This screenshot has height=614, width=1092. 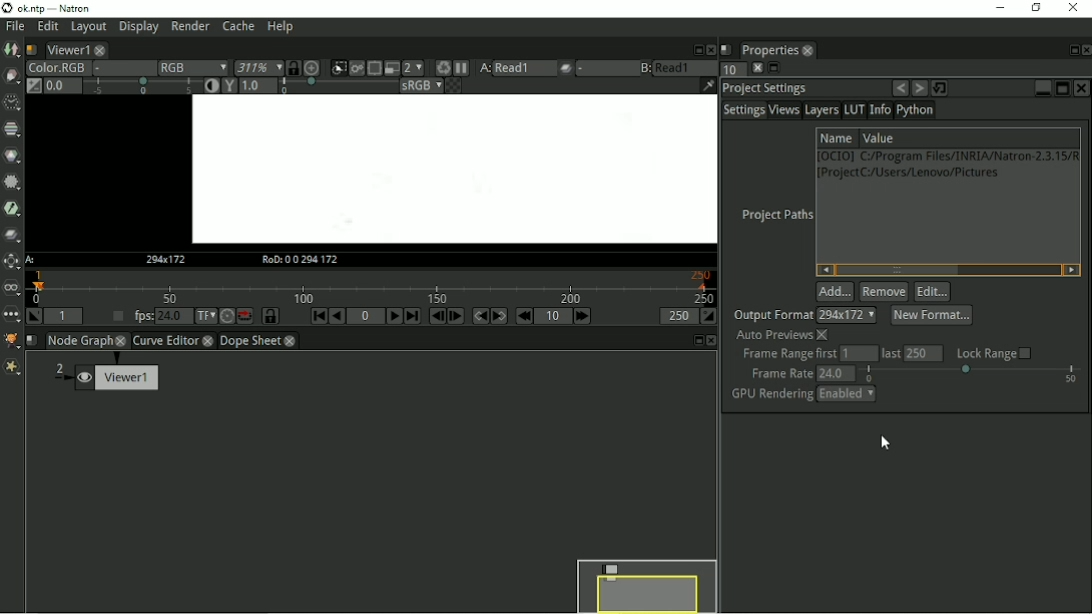 I want to click on menu, so click(x=848, y=315).